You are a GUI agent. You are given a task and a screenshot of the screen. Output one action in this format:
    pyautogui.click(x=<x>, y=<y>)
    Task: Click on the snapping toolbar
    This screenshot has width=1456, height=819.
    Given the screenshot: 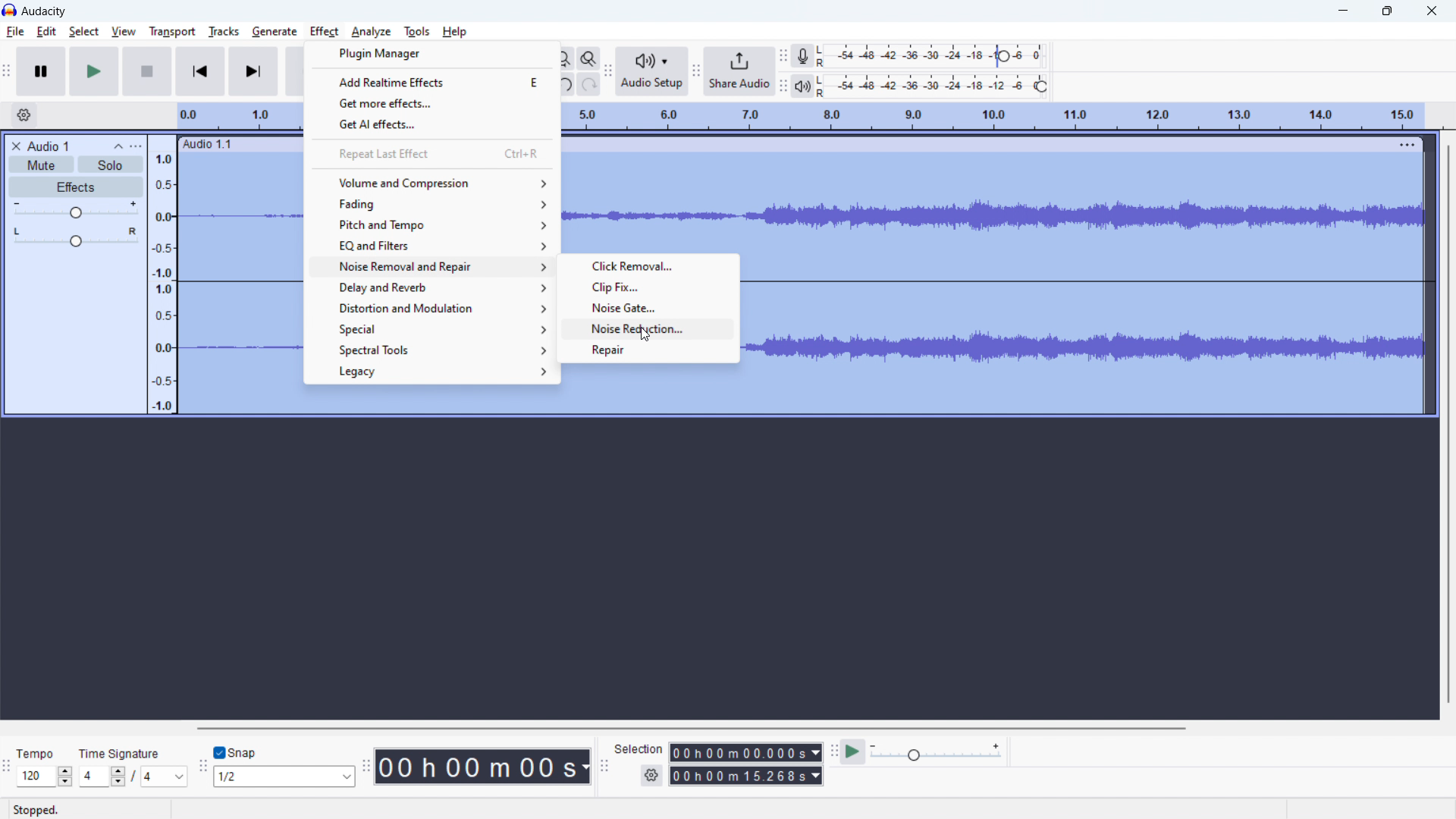 What is the action you would take?
    pyautogui.click(x=203, y=764)
    